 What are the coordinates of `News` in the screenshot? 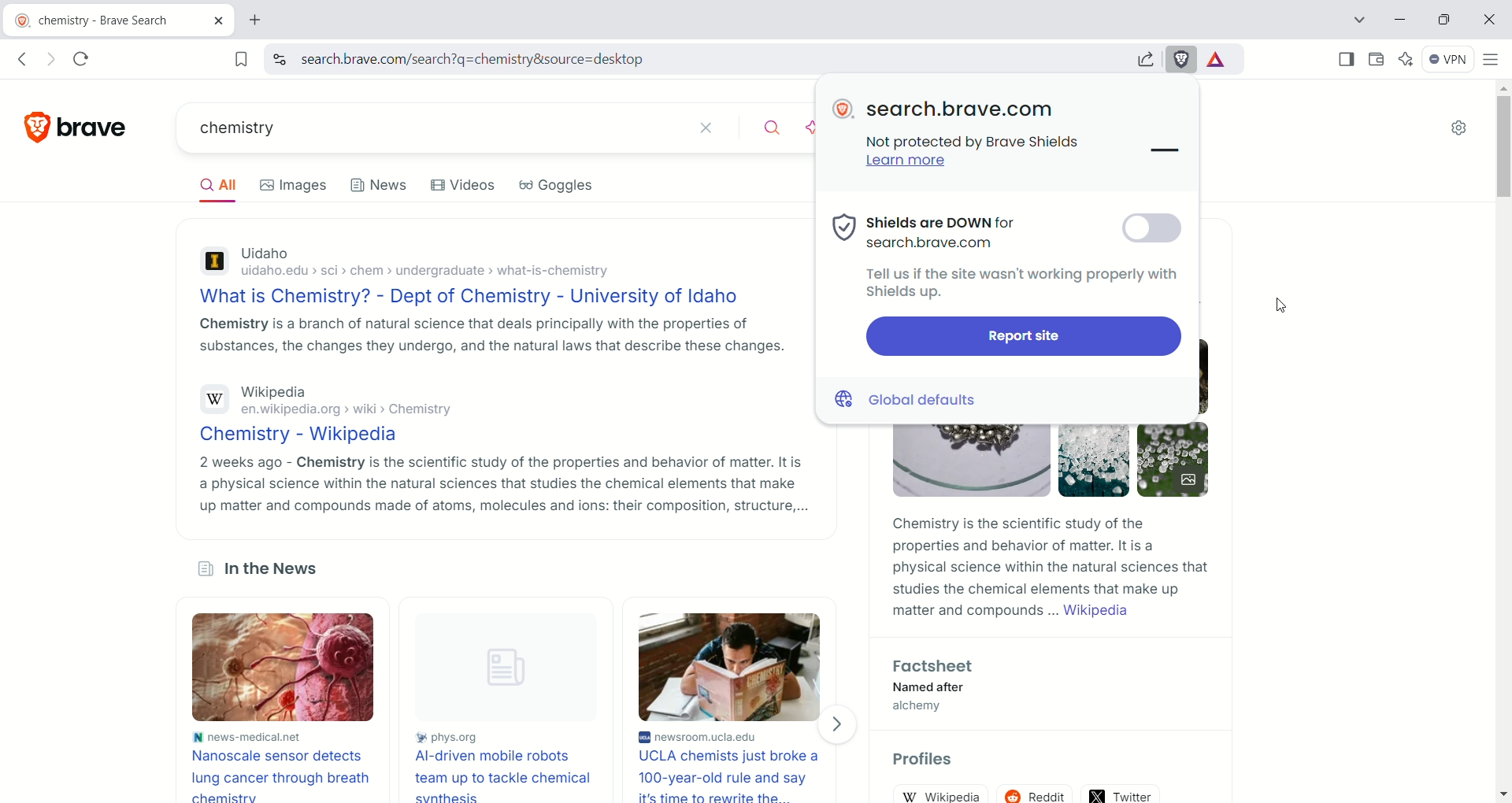 It's located at (380, 183).